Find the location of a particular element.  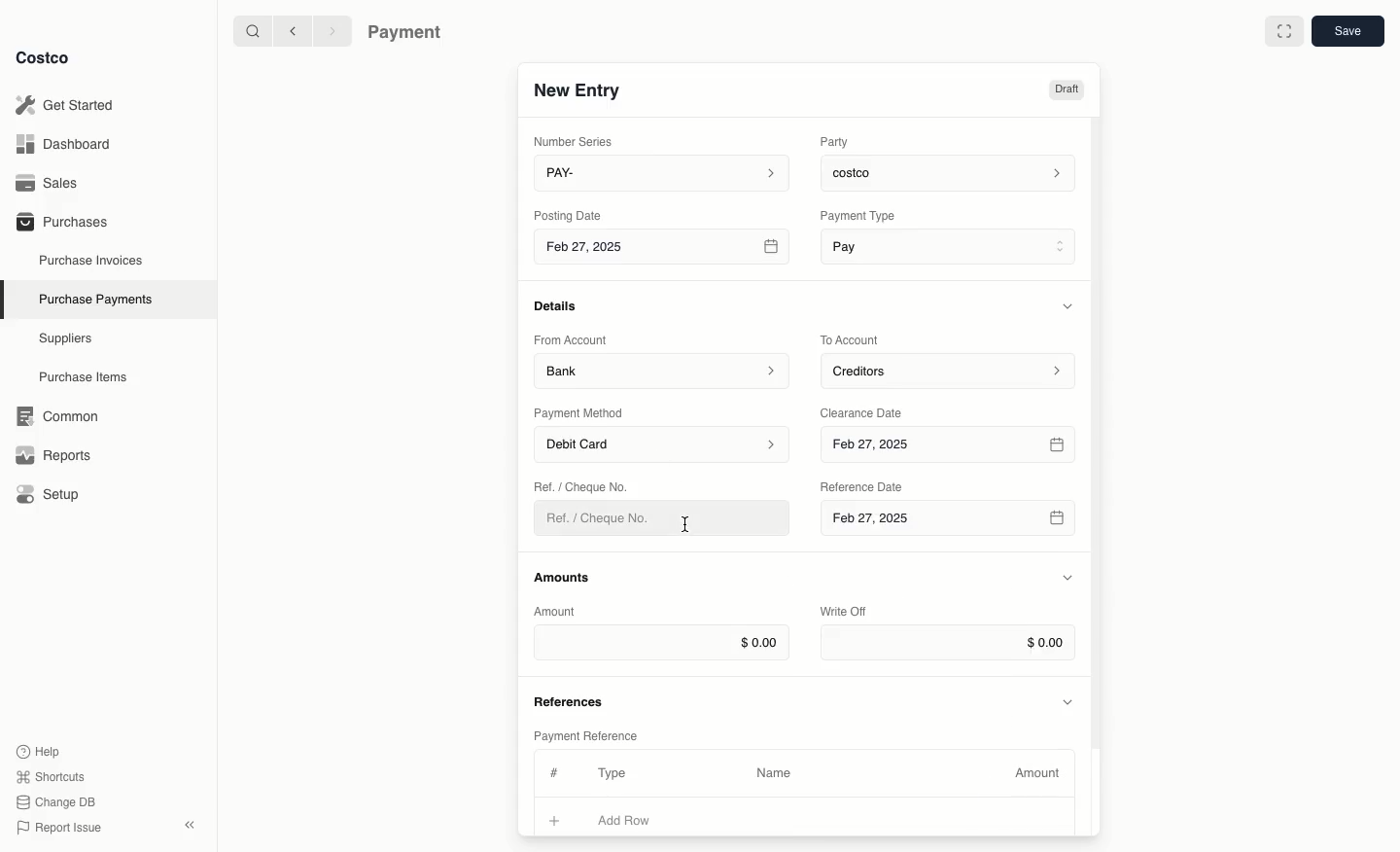

‘Common is located at coordinates (61, 413).